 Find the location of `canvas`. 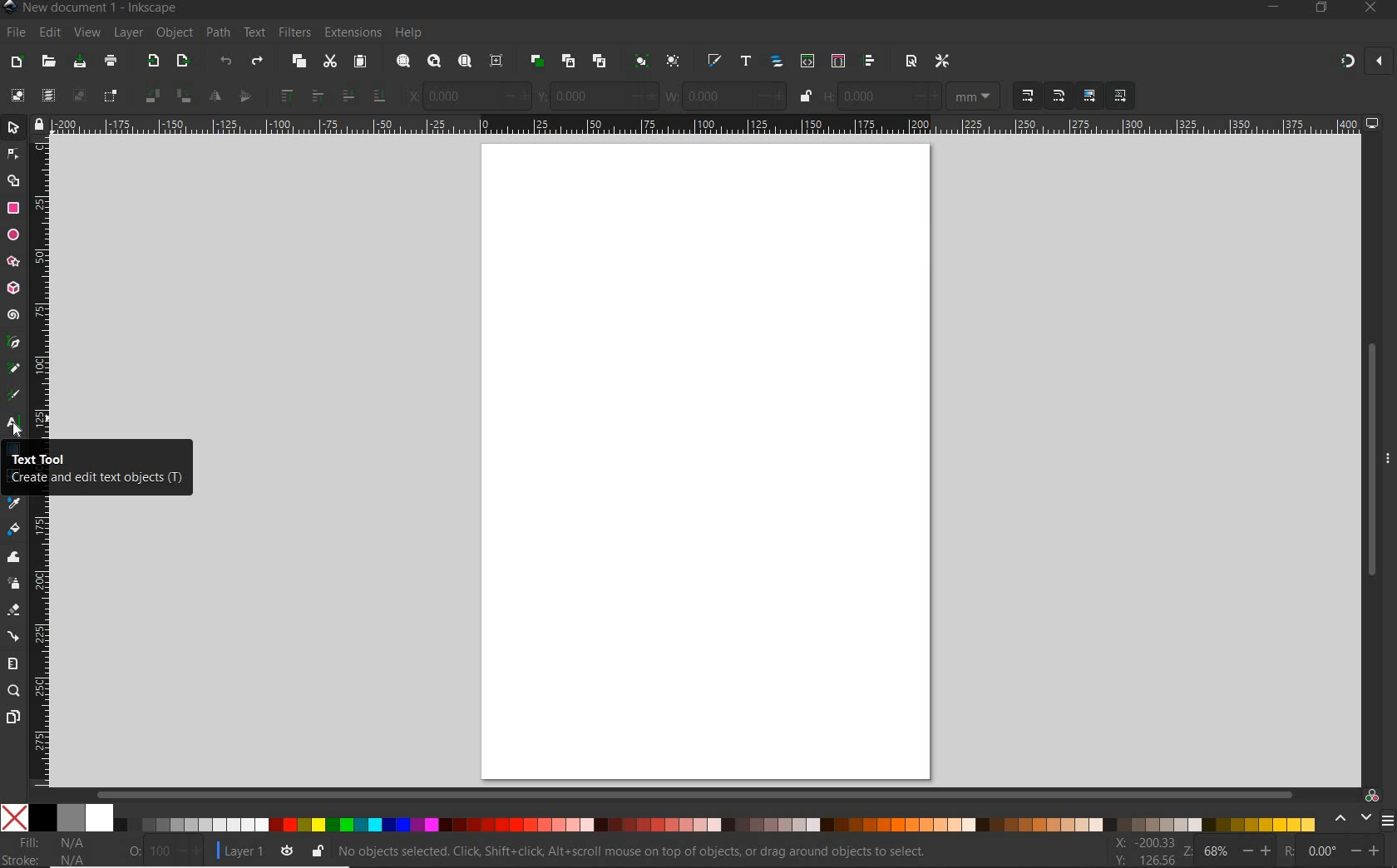

canvas is located at coordinates (707, 458).